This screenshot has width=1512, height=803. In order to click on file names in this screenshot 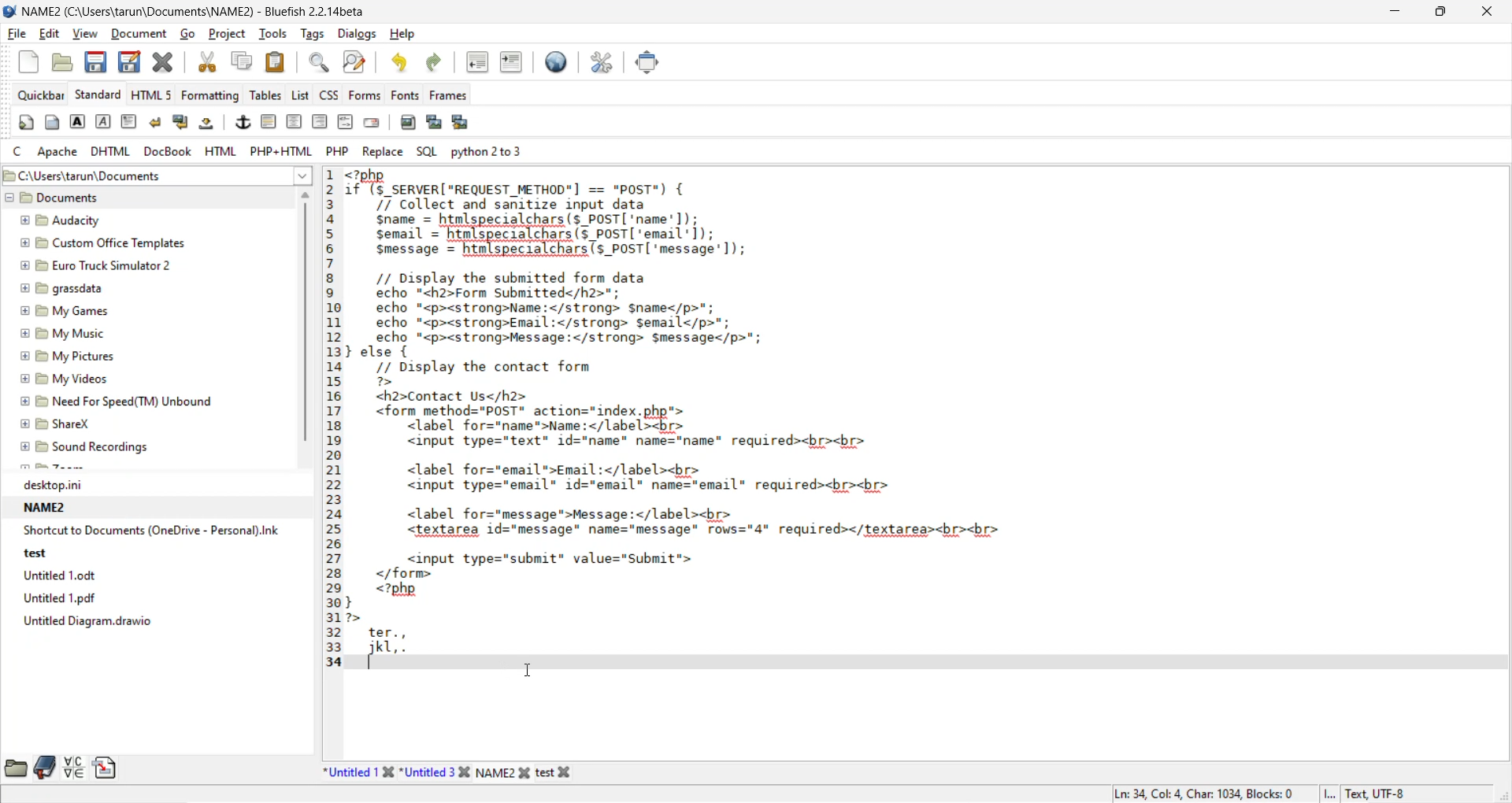, I will do `click(448, 772)`.